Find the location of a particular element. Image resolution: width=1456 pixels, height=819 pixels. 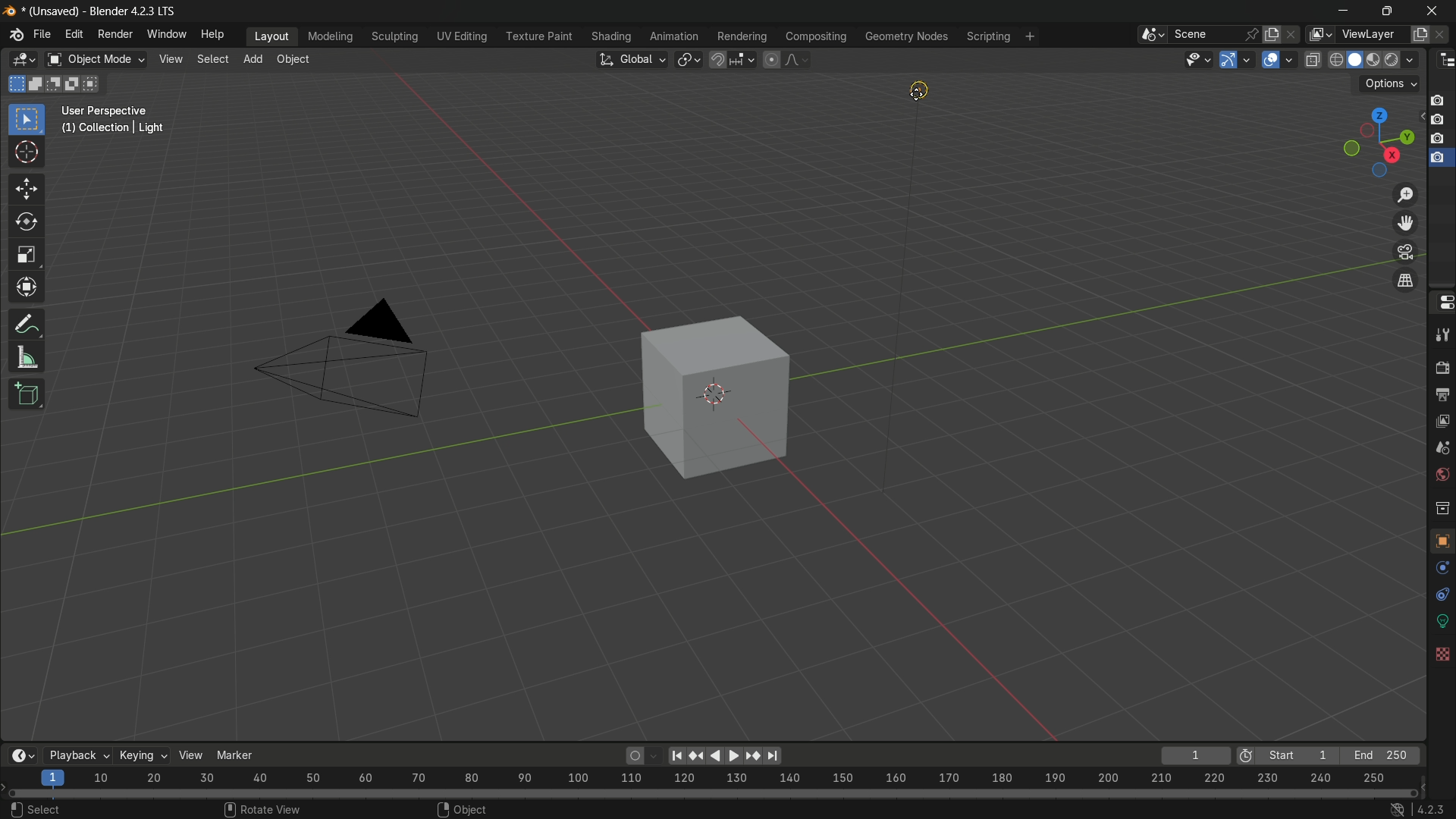

compositing menu is located at coordinates (814, 37).